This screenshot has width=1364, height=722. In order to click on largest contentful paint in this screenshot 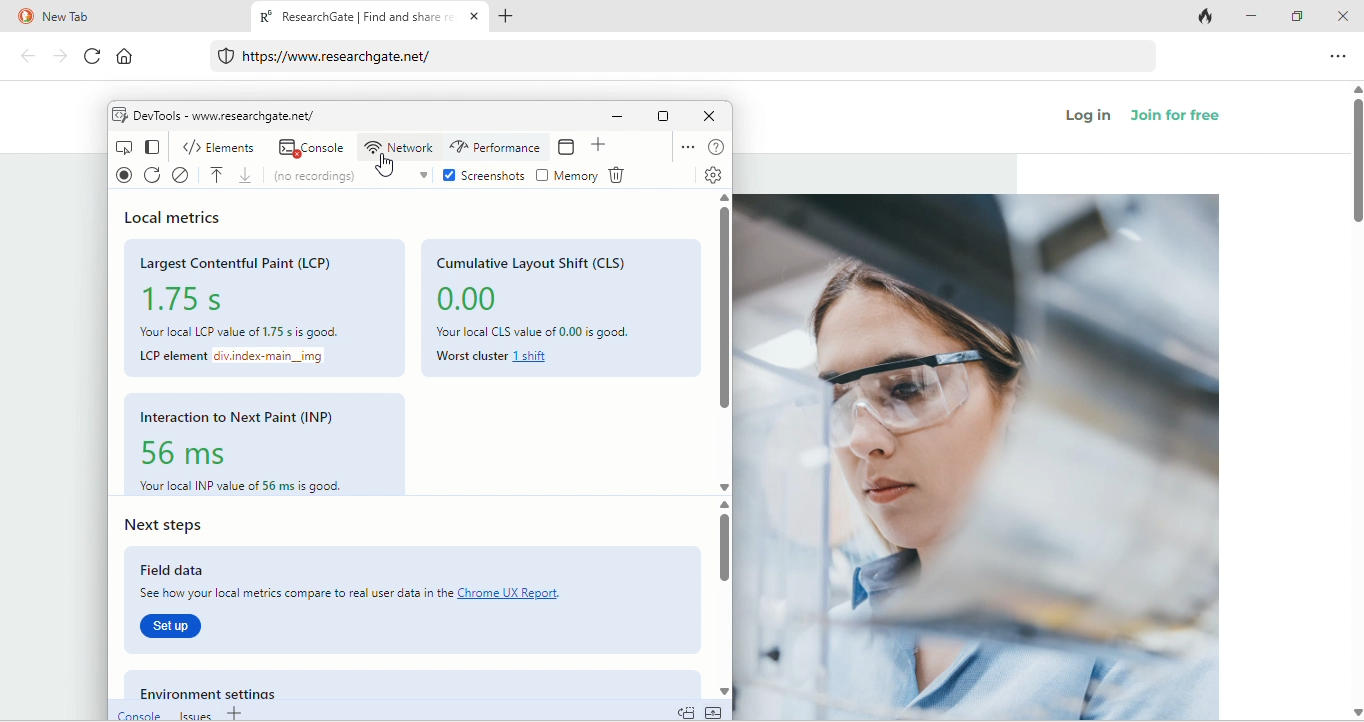, I will do `click(248, 261)`.